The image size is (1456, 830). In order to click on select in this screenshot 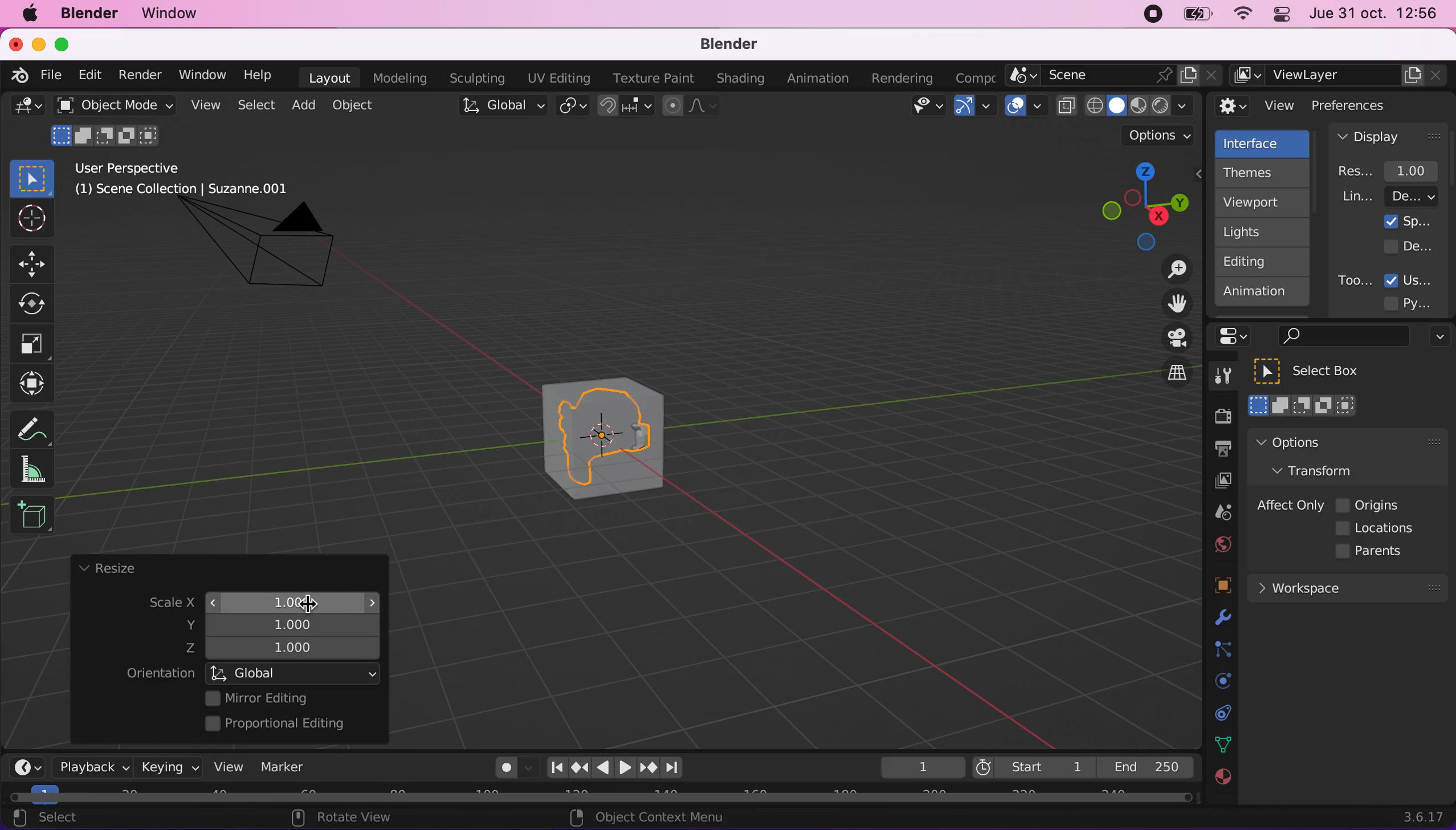, I will do `click(58, 819)`.